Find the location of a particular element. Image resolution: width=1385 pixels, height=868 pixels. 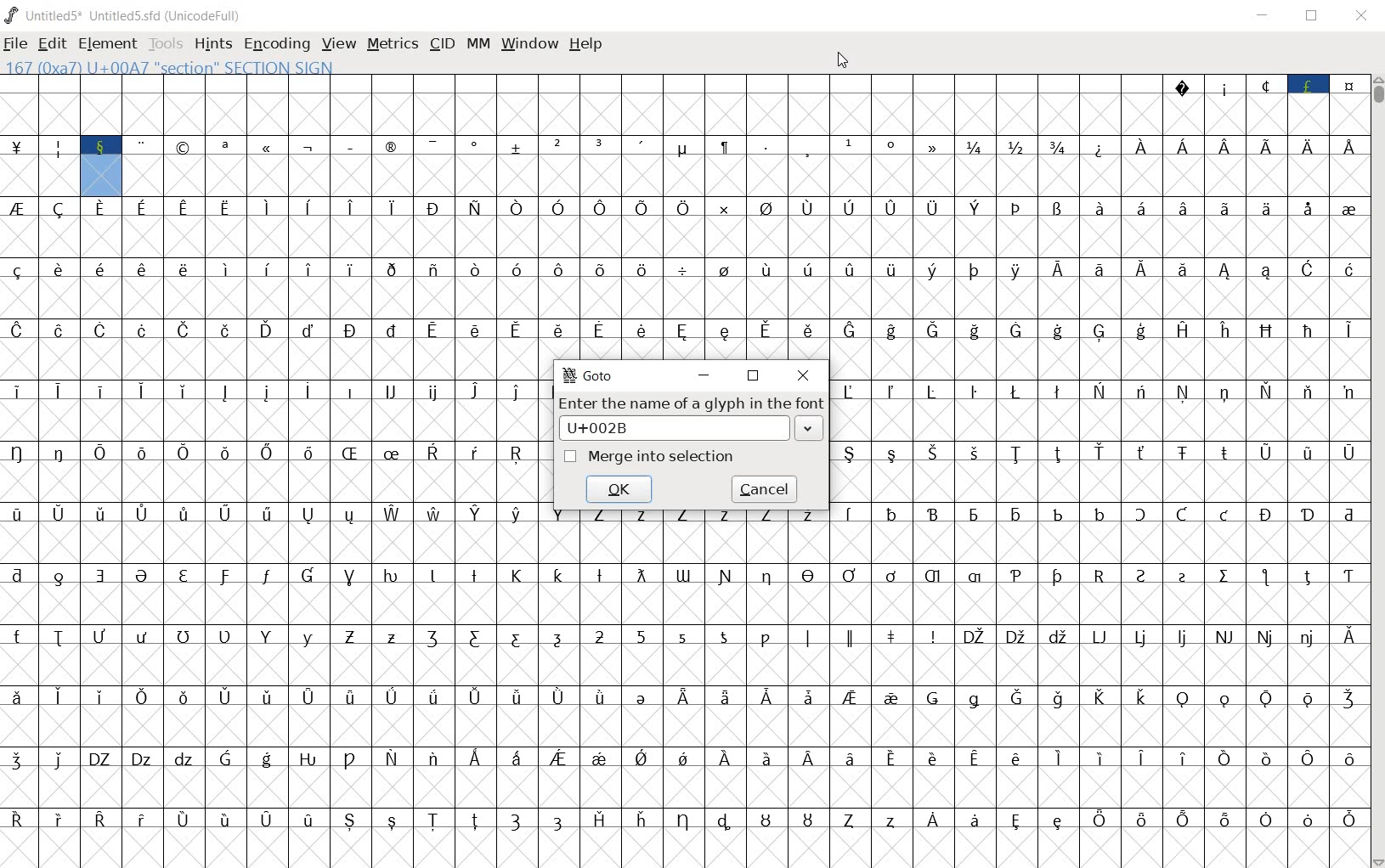

cursor is located at coordinates (845, 61).